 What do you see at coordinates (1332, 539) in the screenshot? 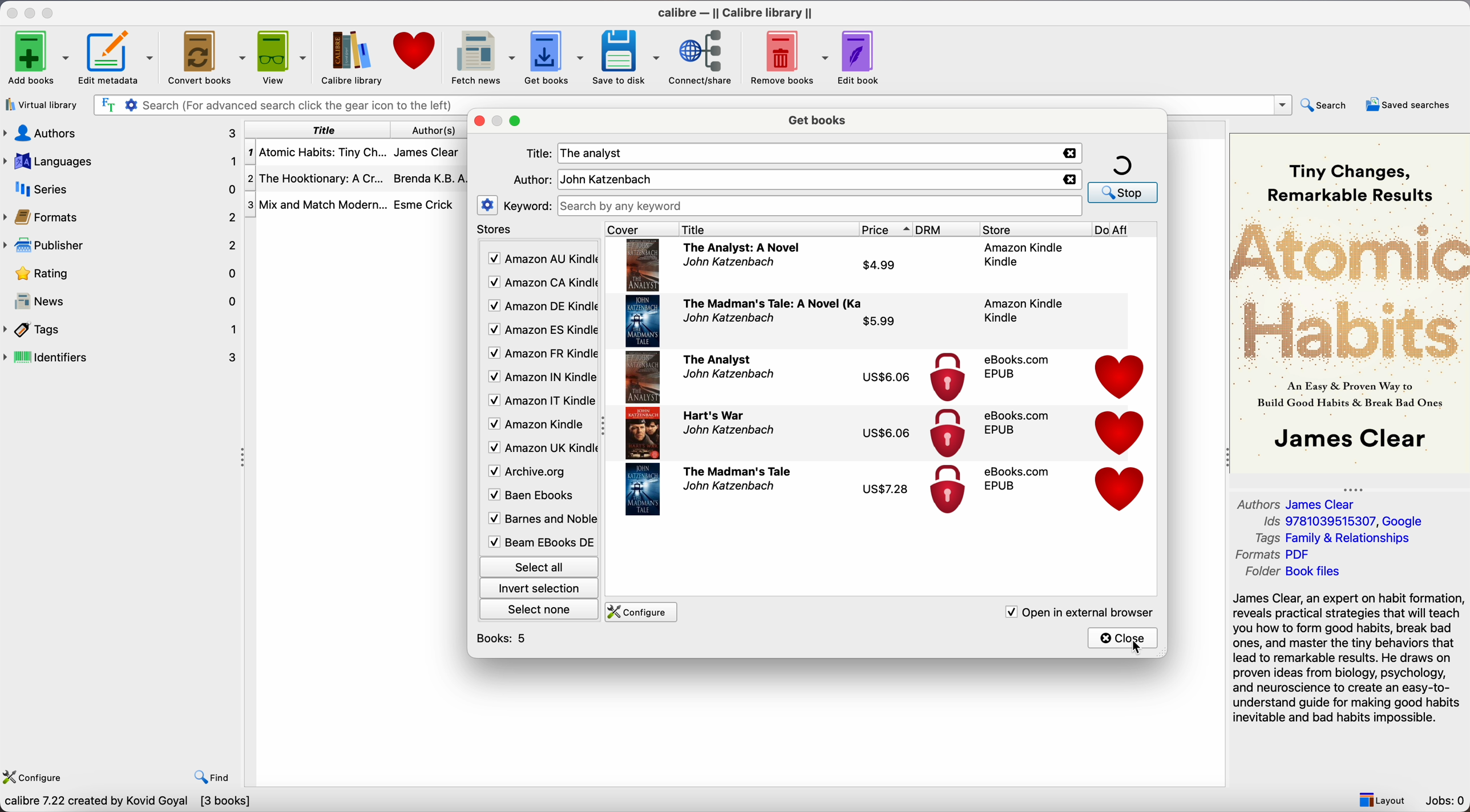
I see `Tags Family & Relationships` at bounding box center [1332, 539].